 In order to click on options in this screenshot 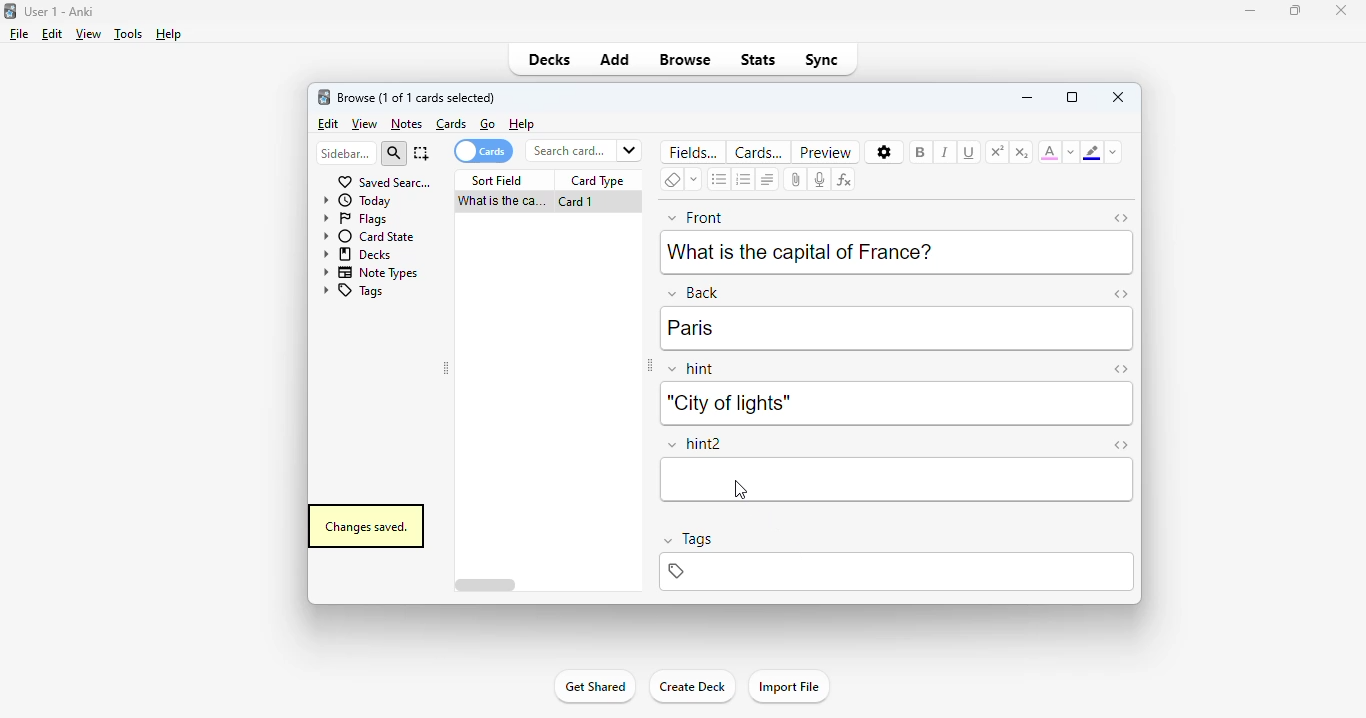, I will do `click(885, 153)`.